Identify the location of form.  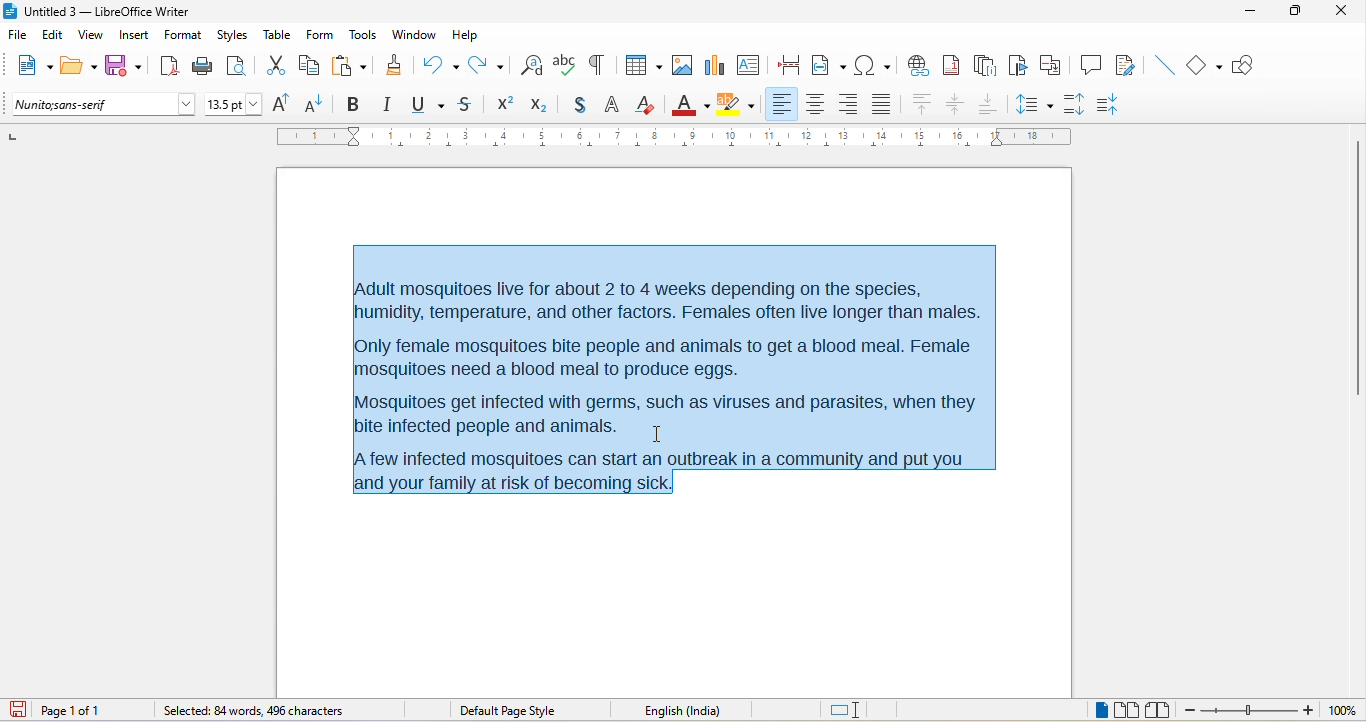
(319, 34).